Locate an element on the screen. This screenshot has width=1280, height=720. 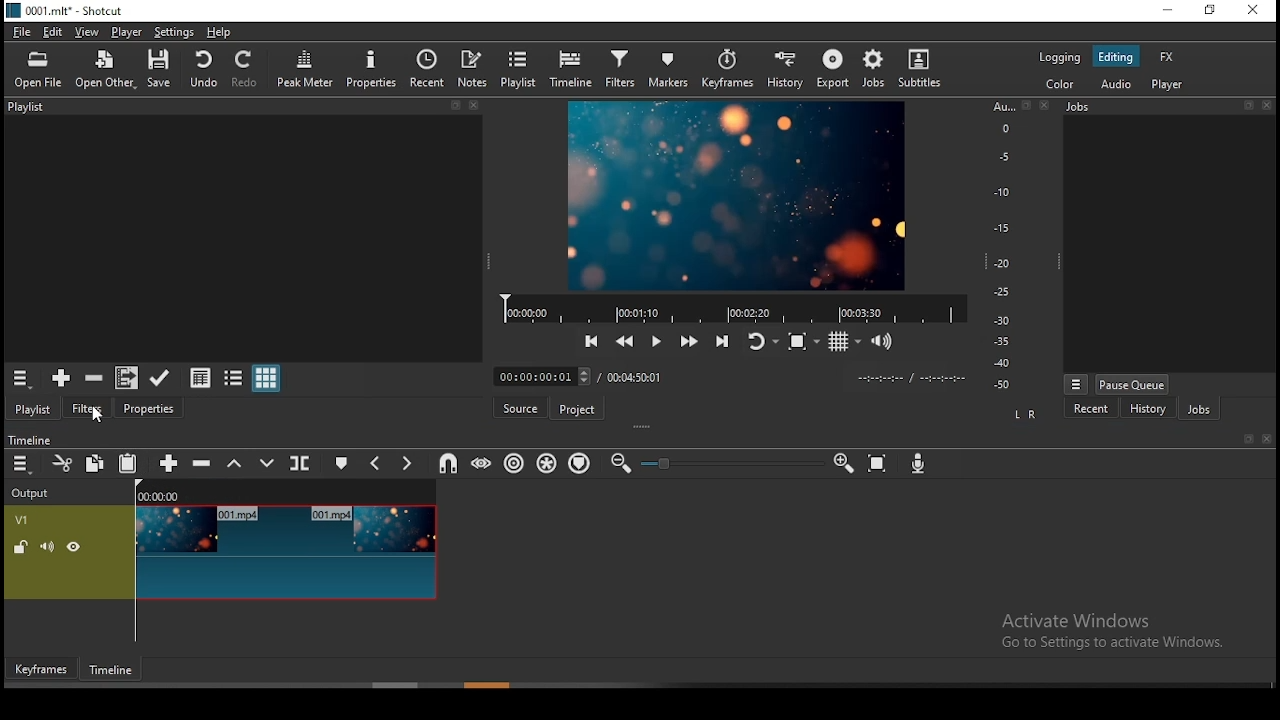
ripple delete is located at coordinates (200, 464).